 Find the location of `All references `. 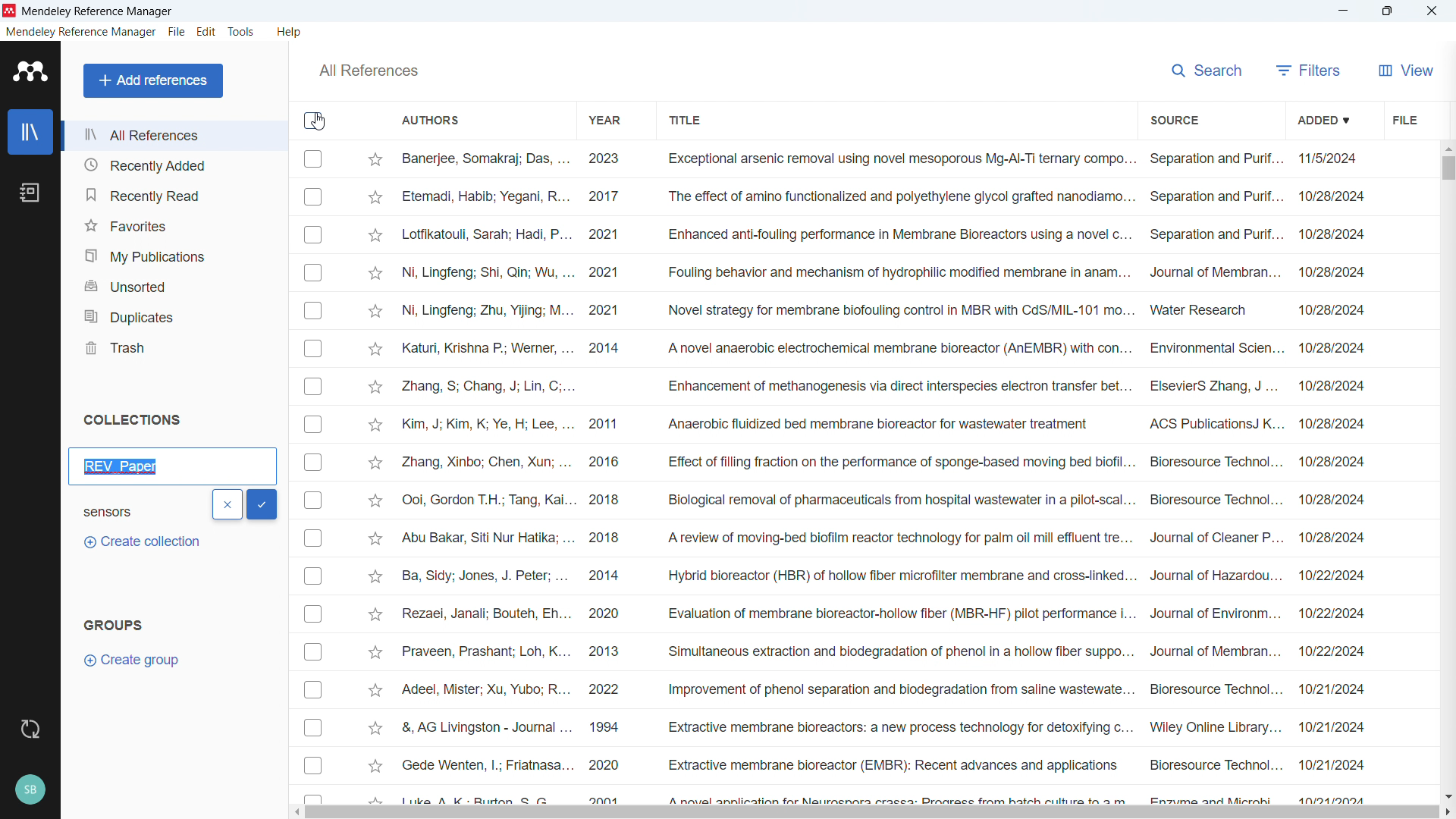

All references  is located at coordinates (174, 136).